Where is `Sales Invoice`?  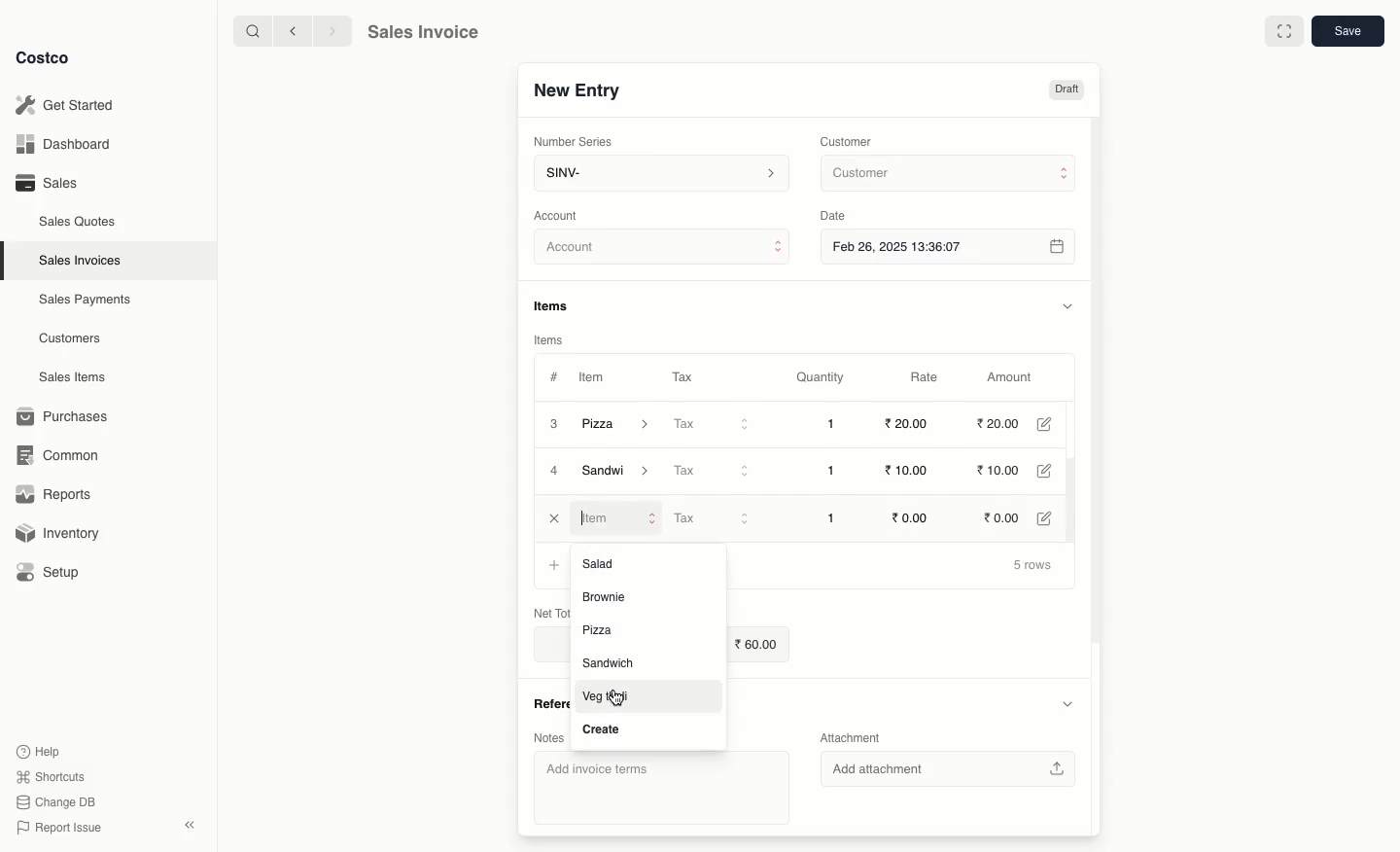 Sales Invoice is located at coordinates (423, 34).